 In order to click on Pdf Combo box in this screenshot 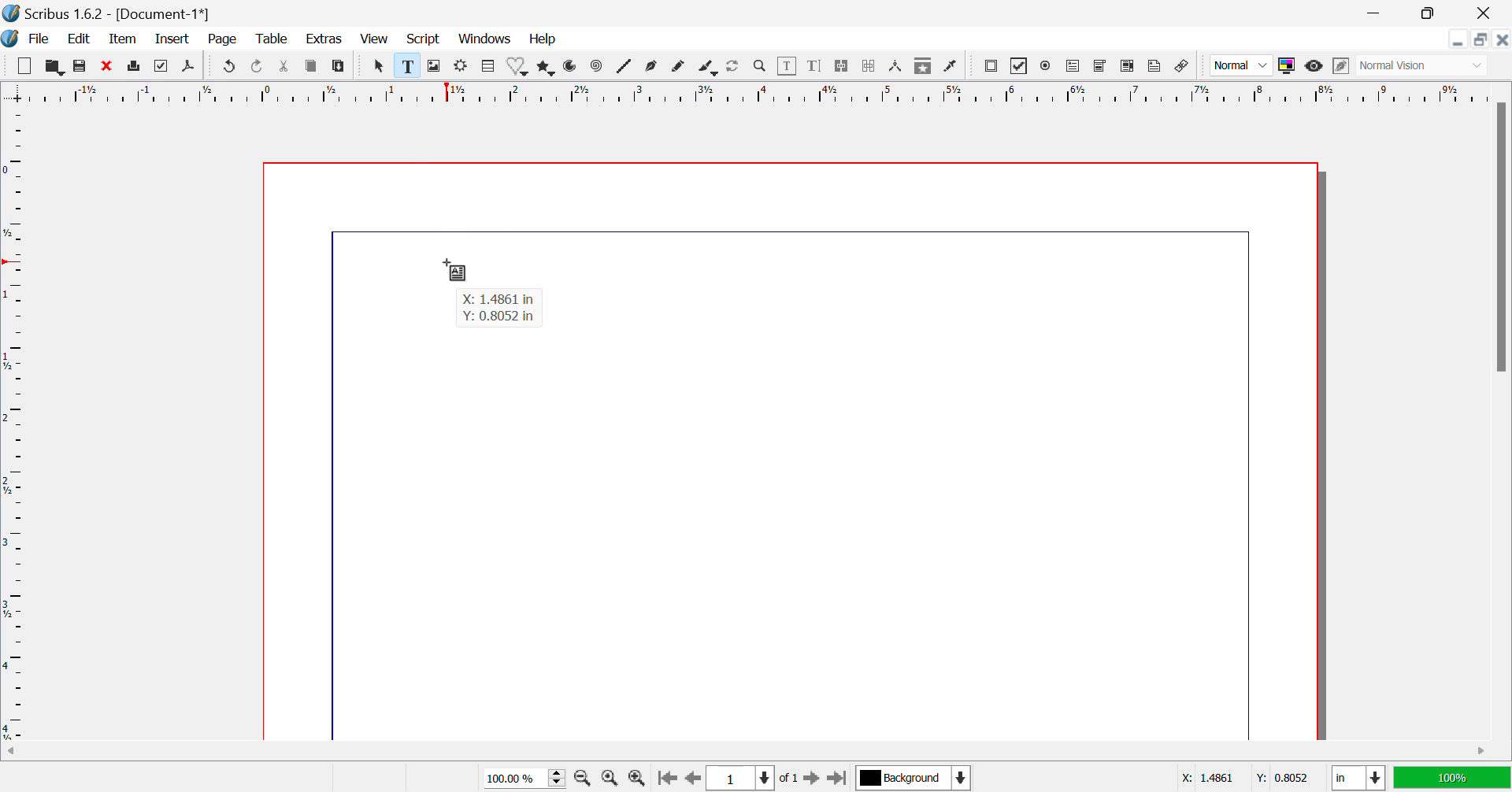, I will do `click(1101, 68)`.